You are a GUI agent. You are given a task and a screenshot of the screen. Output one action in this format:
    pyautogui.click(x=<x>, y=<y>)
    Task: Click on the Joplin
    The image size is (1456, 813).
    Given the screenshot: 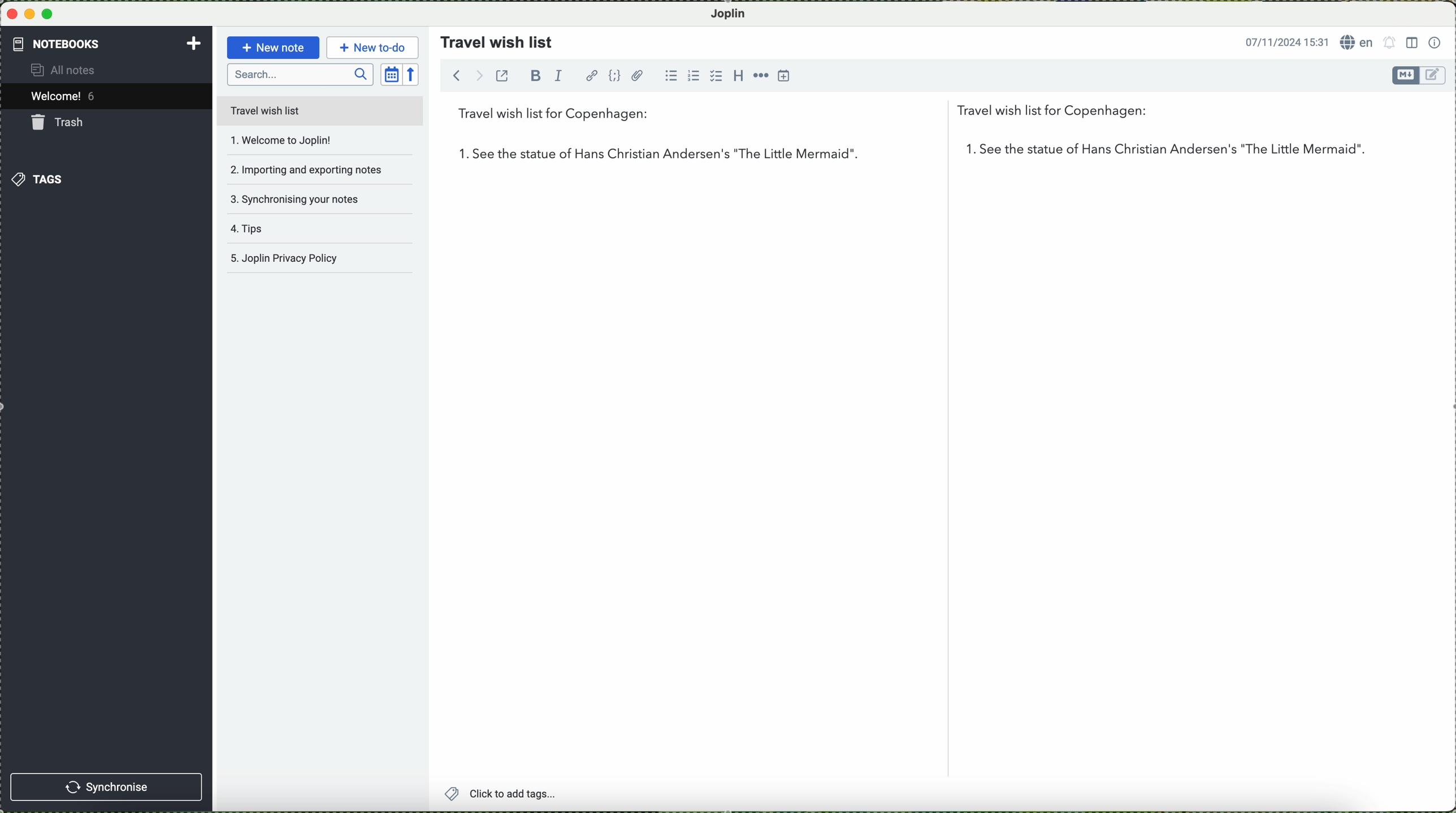 What is the action you would take?
    pyautogui.click(x=734, y=13)
    